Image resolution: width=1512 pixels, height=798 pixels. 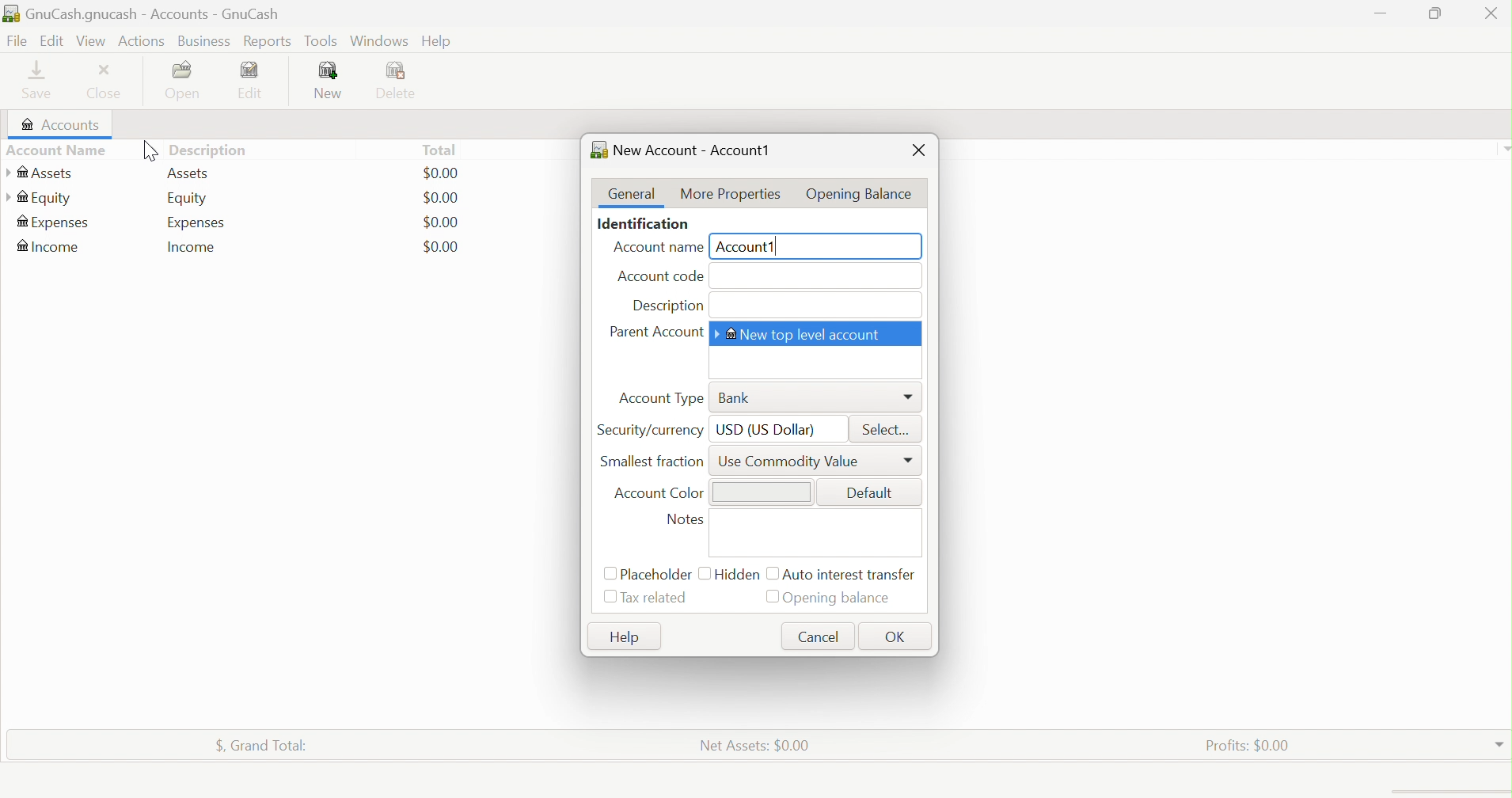 What do you see at coordinates (767, 429) in the screenshot?
I see `USD (US Dollar)` at bounding box center [767, 429].